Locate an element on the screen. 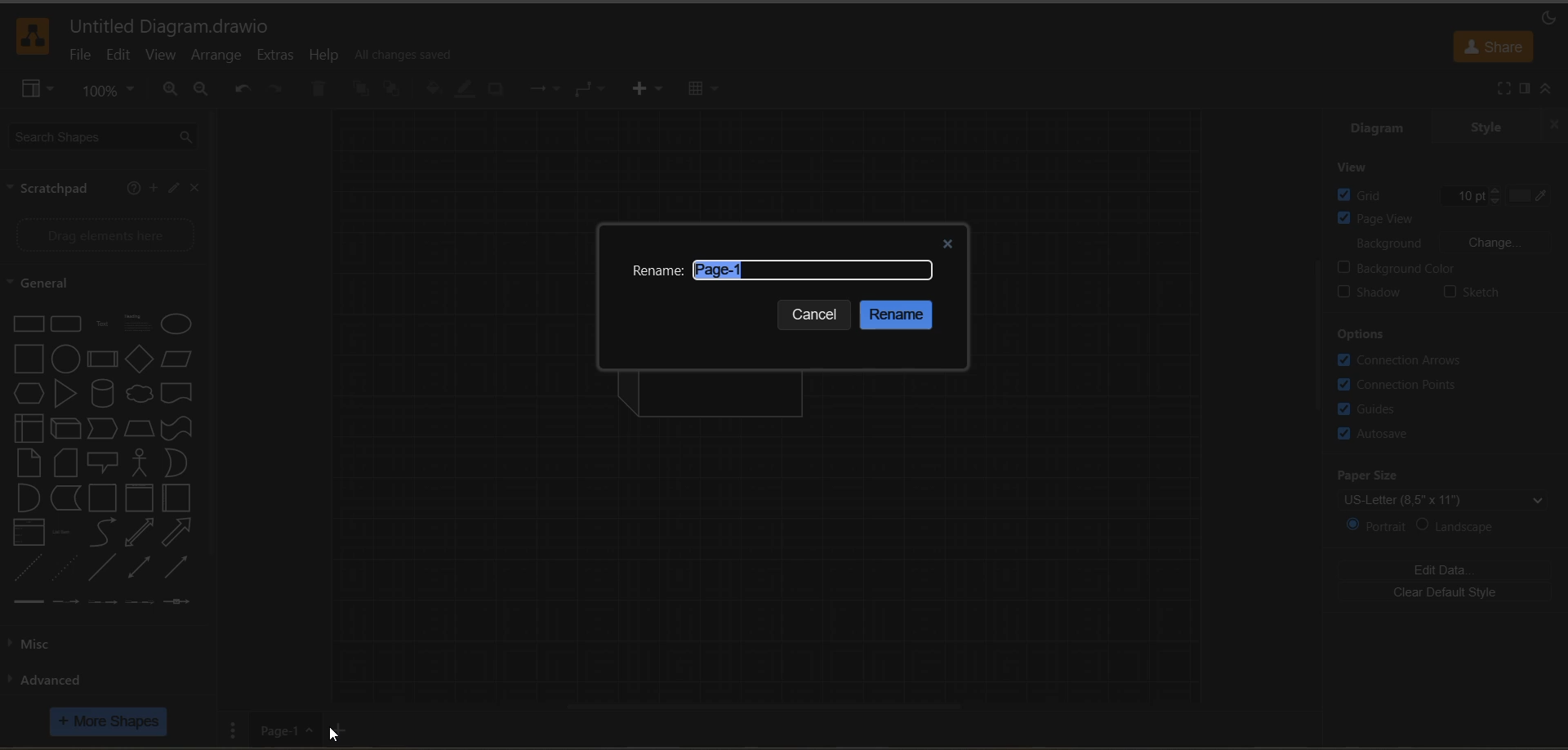  help is located at coordinates (133, 190).